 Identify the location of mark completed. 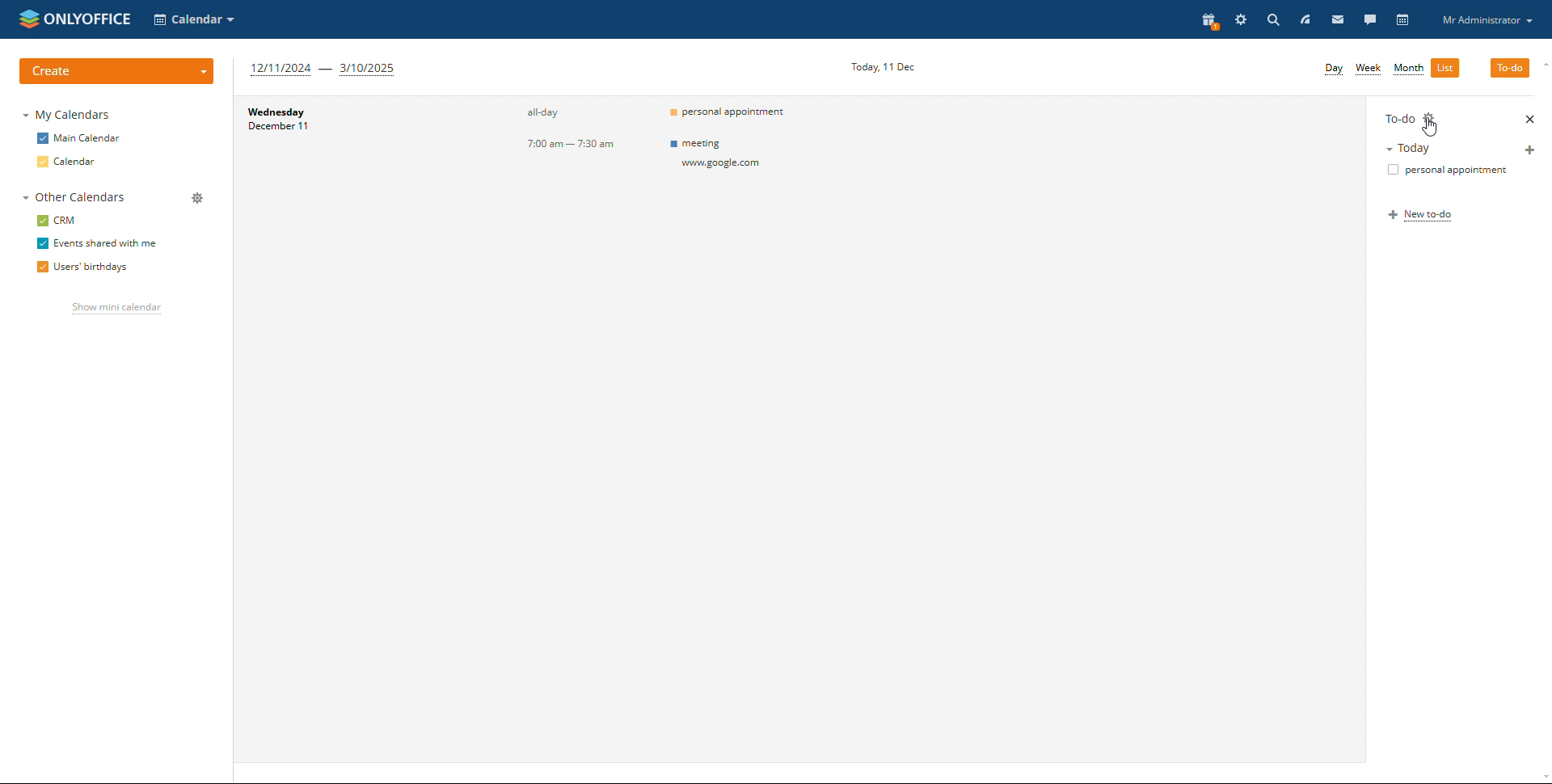
(1443, 171).